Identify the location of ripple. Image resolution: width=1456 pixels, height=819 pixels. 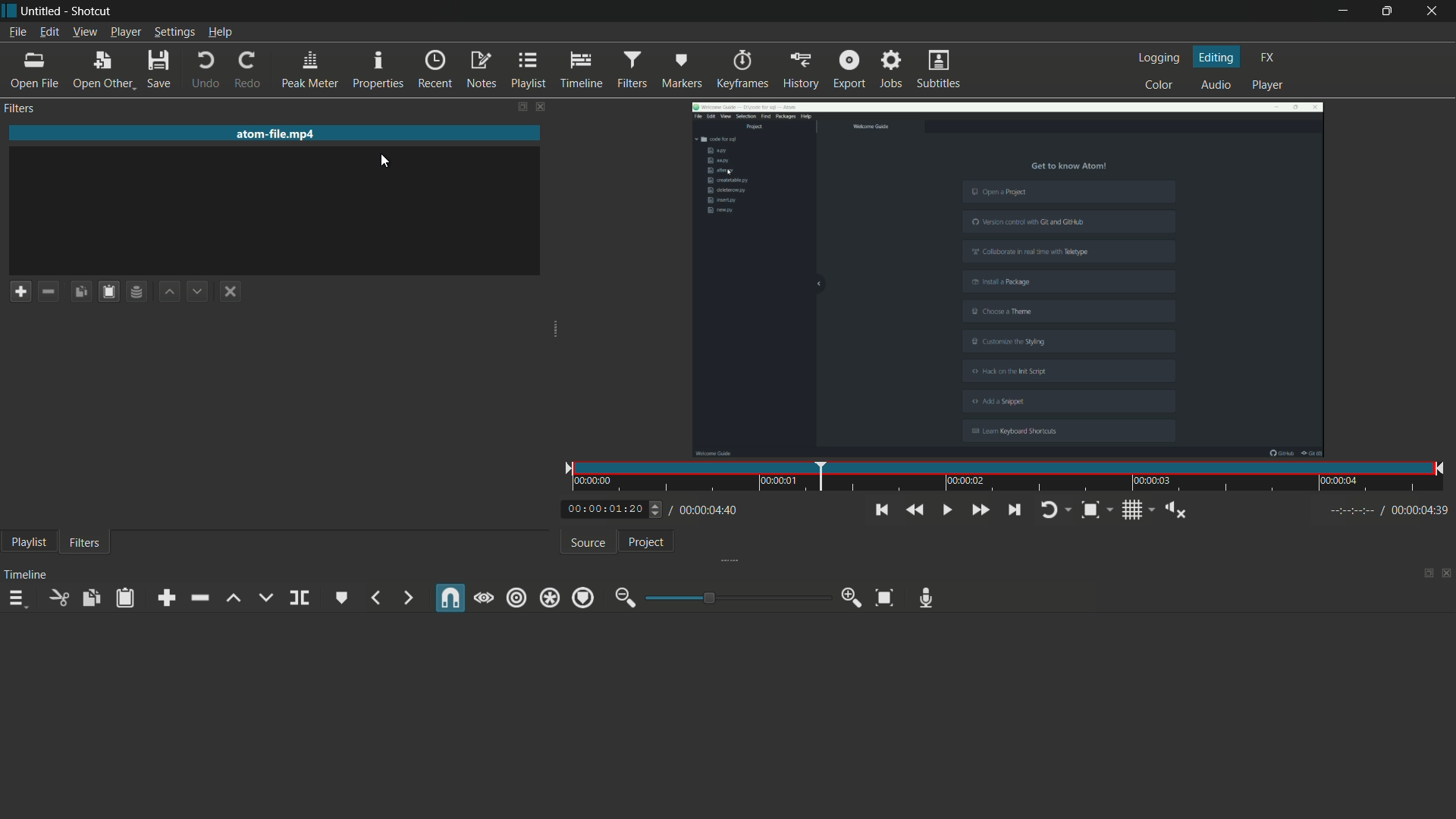
(516, 598).